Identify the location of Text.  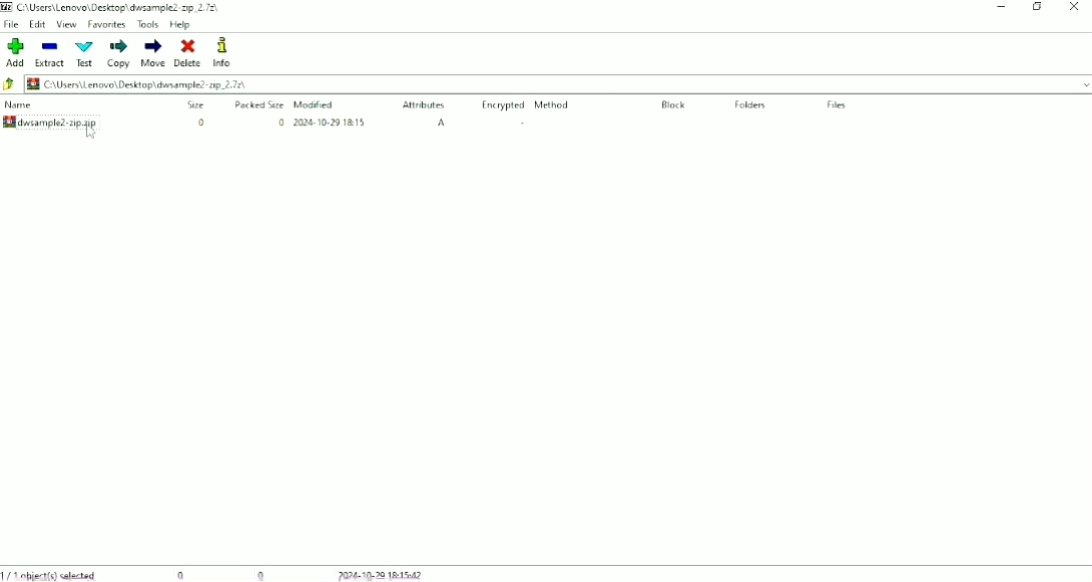
(85, 54).